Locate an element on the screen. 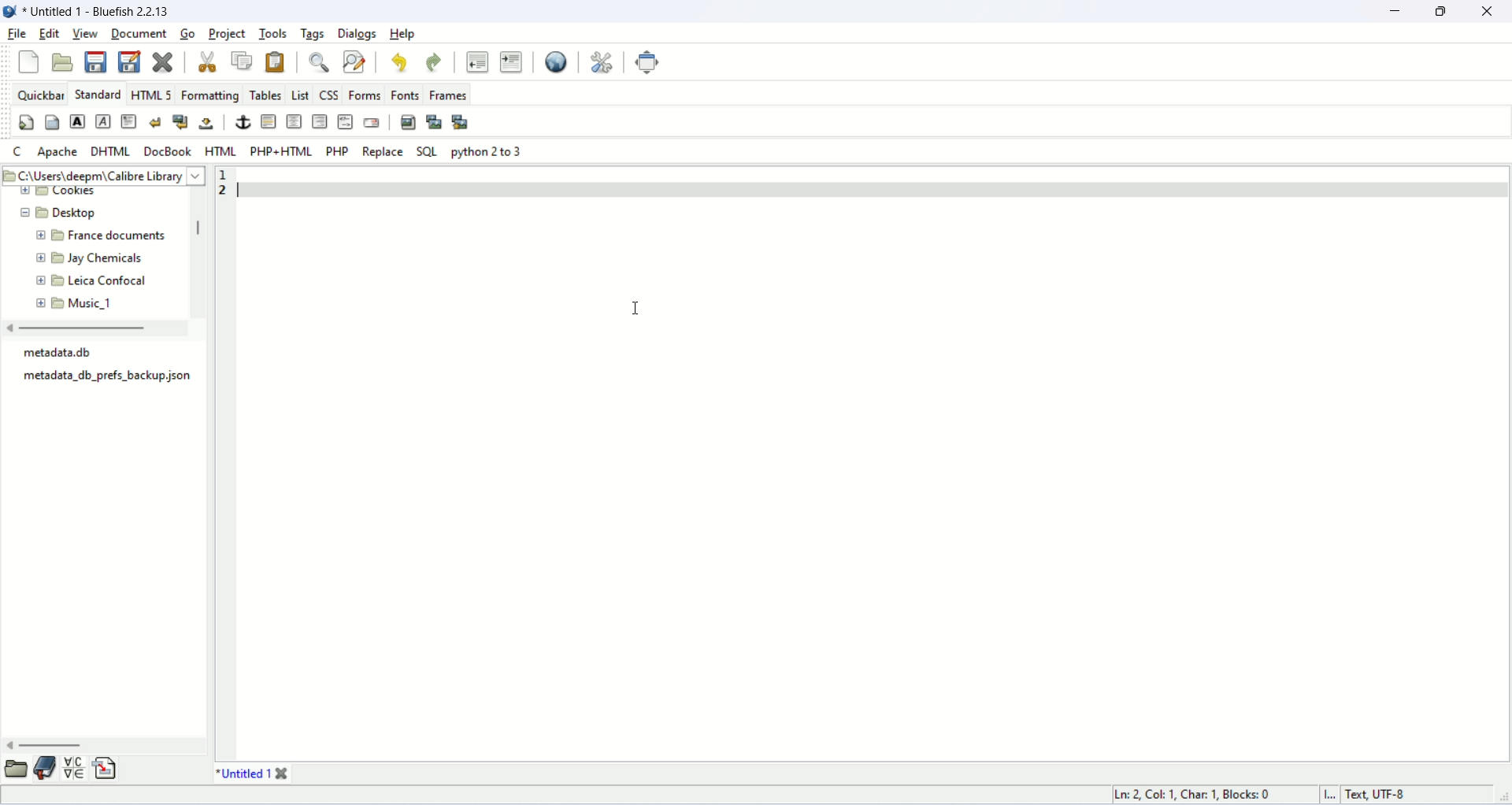 This screenshot has width=1512, height=805. character encoding is located at coordinates (1377, 796).